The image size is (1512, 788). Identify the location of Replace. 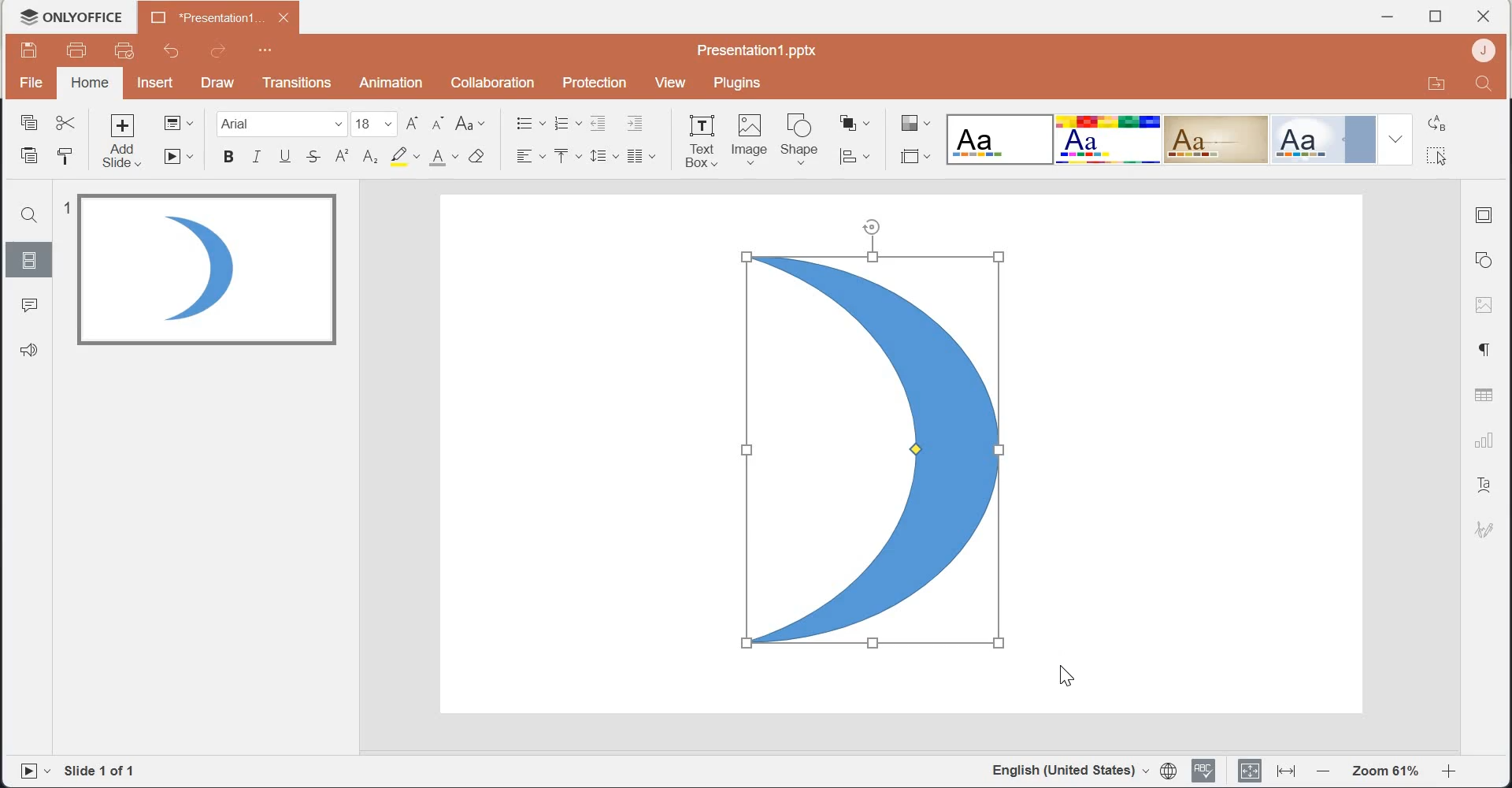
(1441, 121).